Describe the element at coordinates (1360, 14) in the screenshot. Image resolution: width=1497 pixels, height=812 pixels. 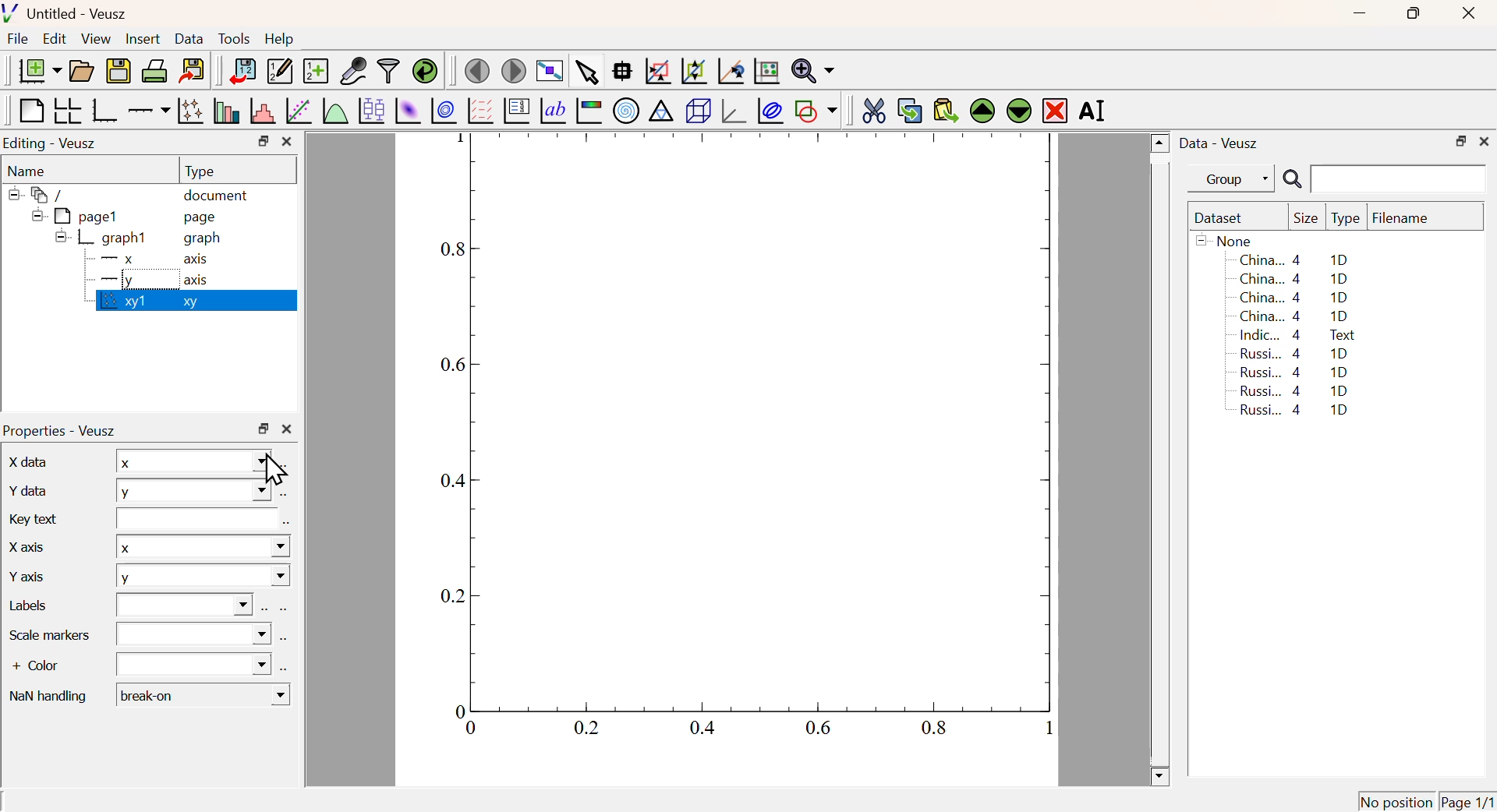
I see `Minimize` at that location.